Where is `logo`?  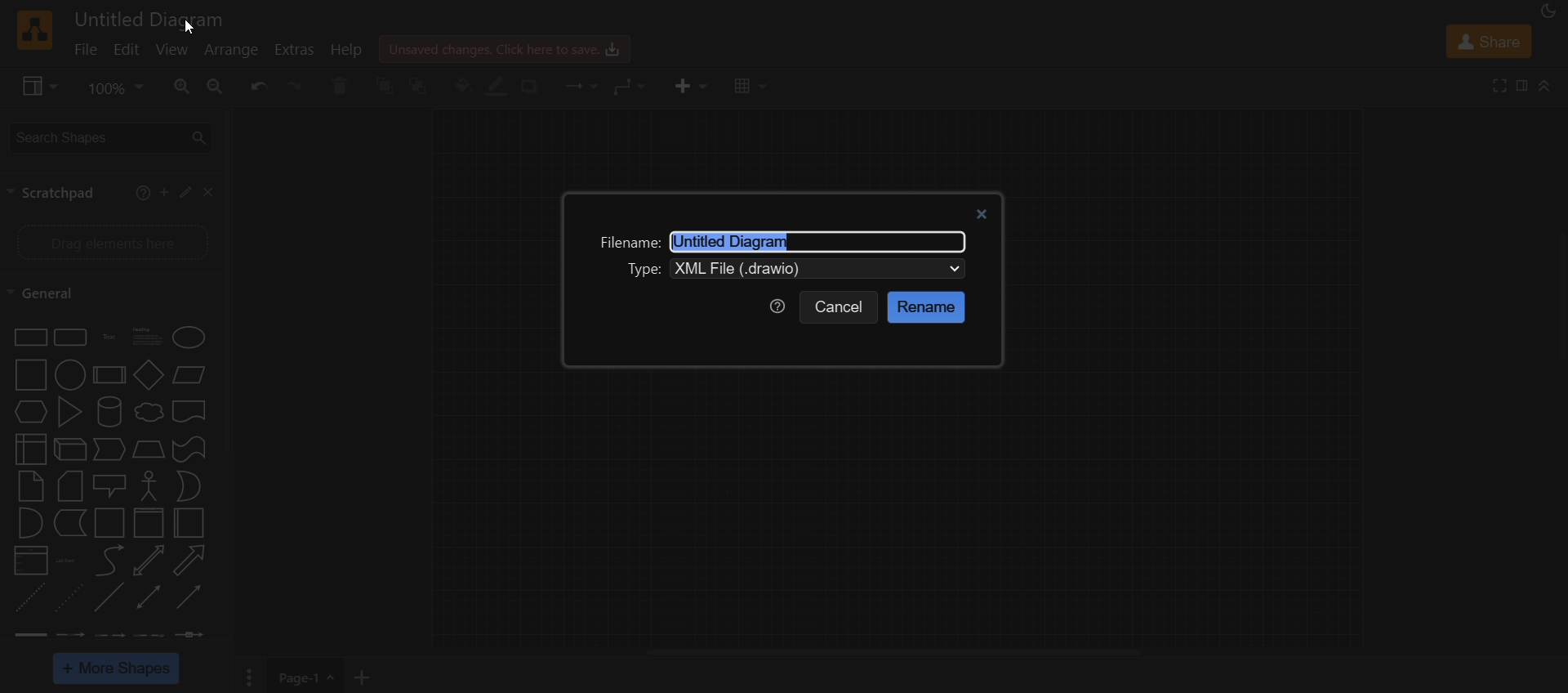
logo is located at coordinates (35, 30).